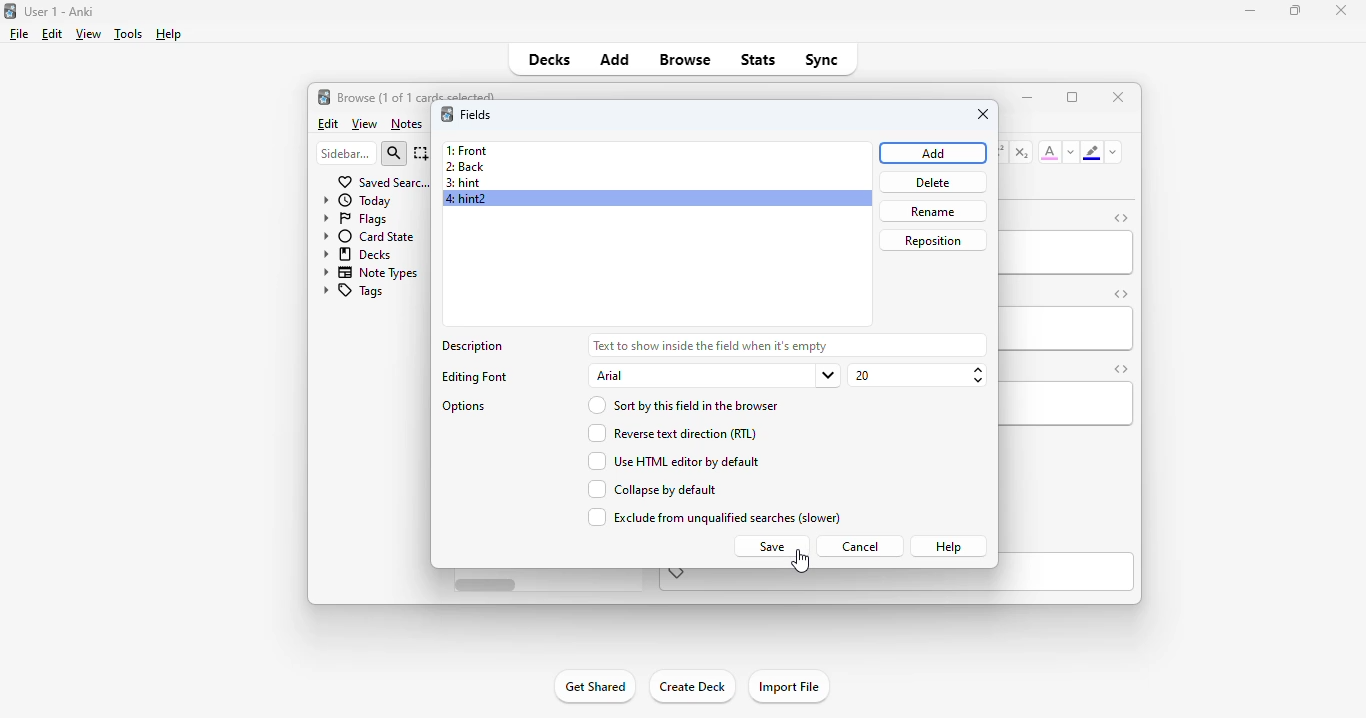  I want to click on change color, so click(1071, 152).